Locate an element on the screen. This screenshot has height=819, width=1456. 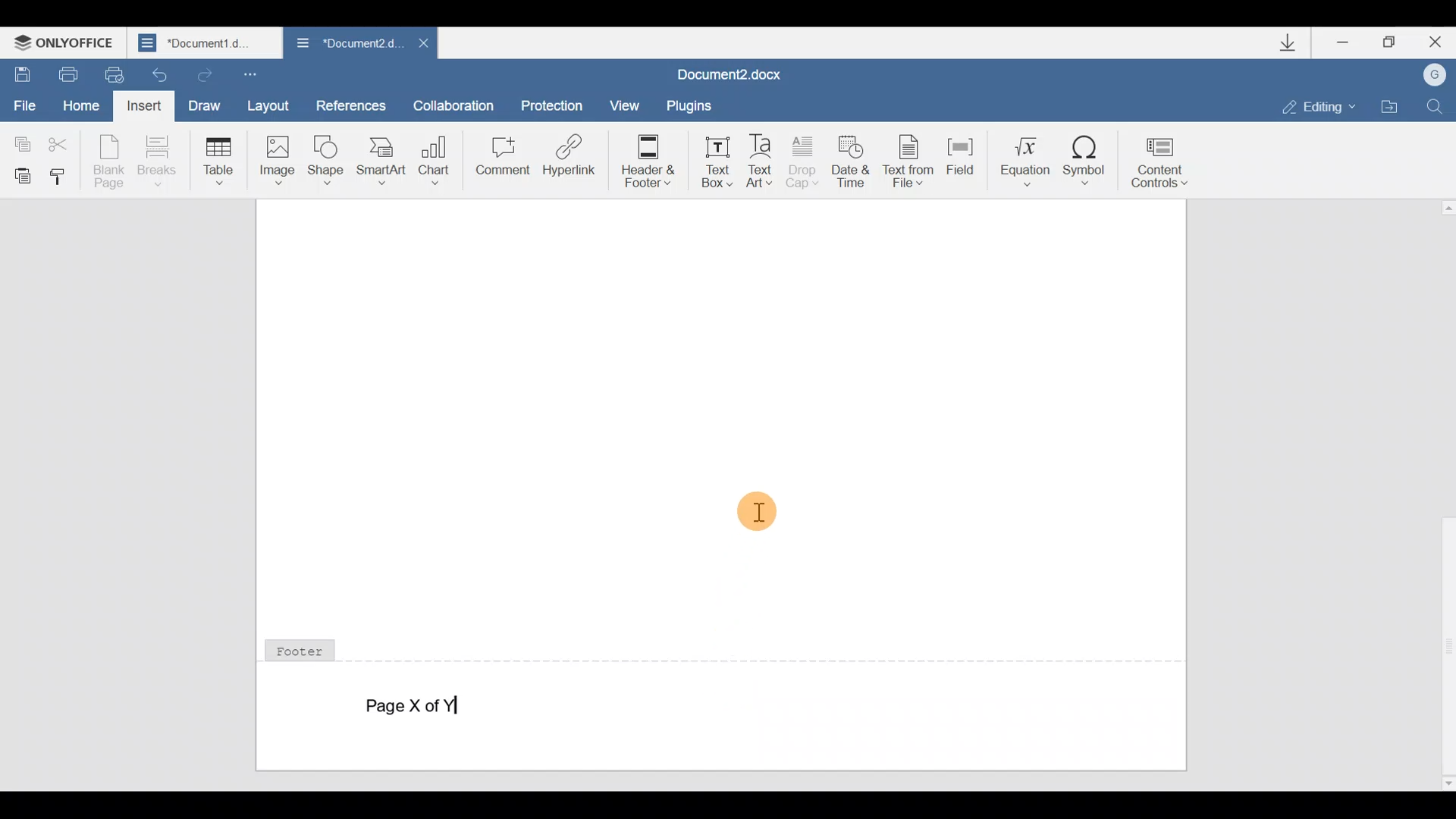
Comment is located at coordinates (500, 159).